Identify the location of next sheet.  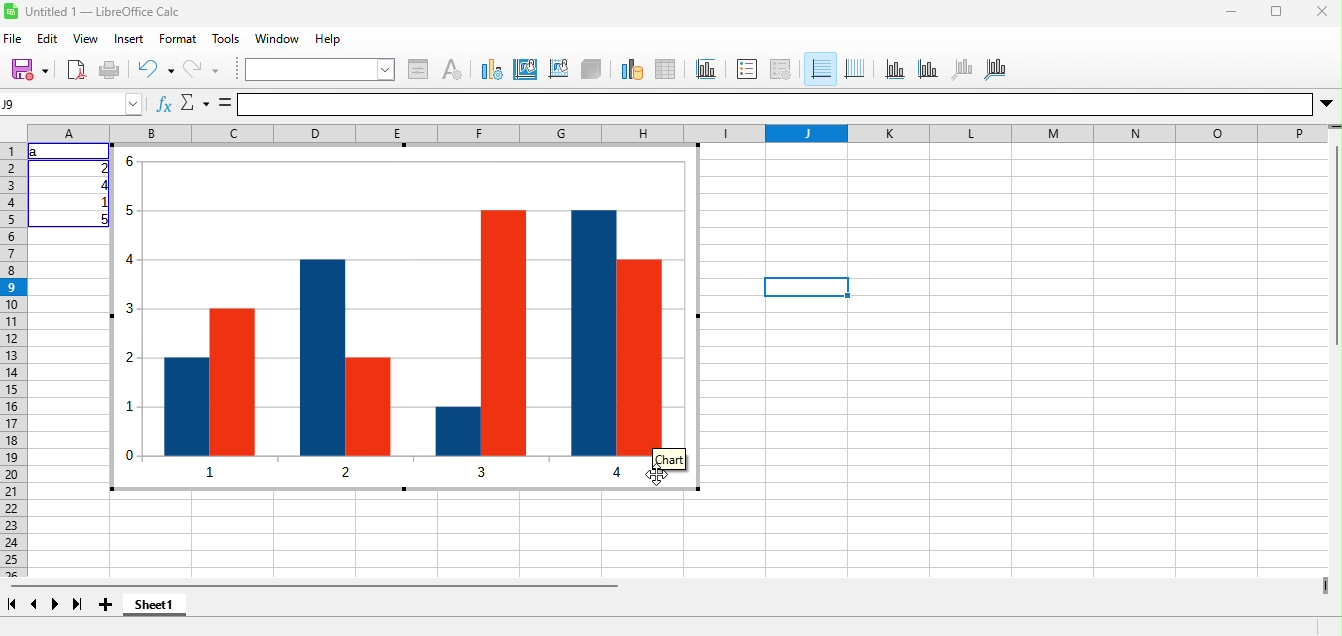
(55, 605).